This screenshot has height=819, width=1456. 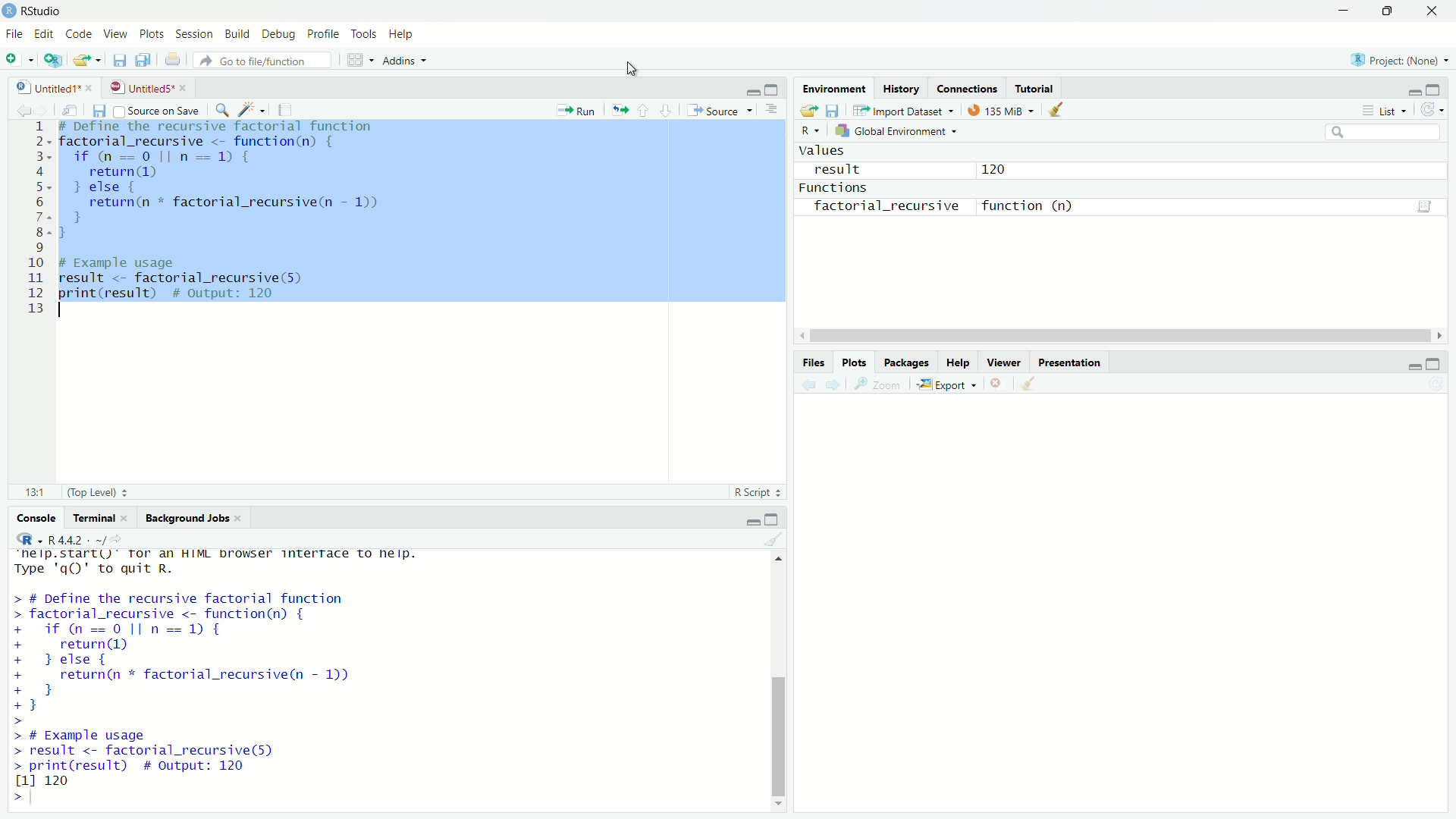 I want to click on Compile Report (Ctrl + Shift + K), so click(x=288, y=108).